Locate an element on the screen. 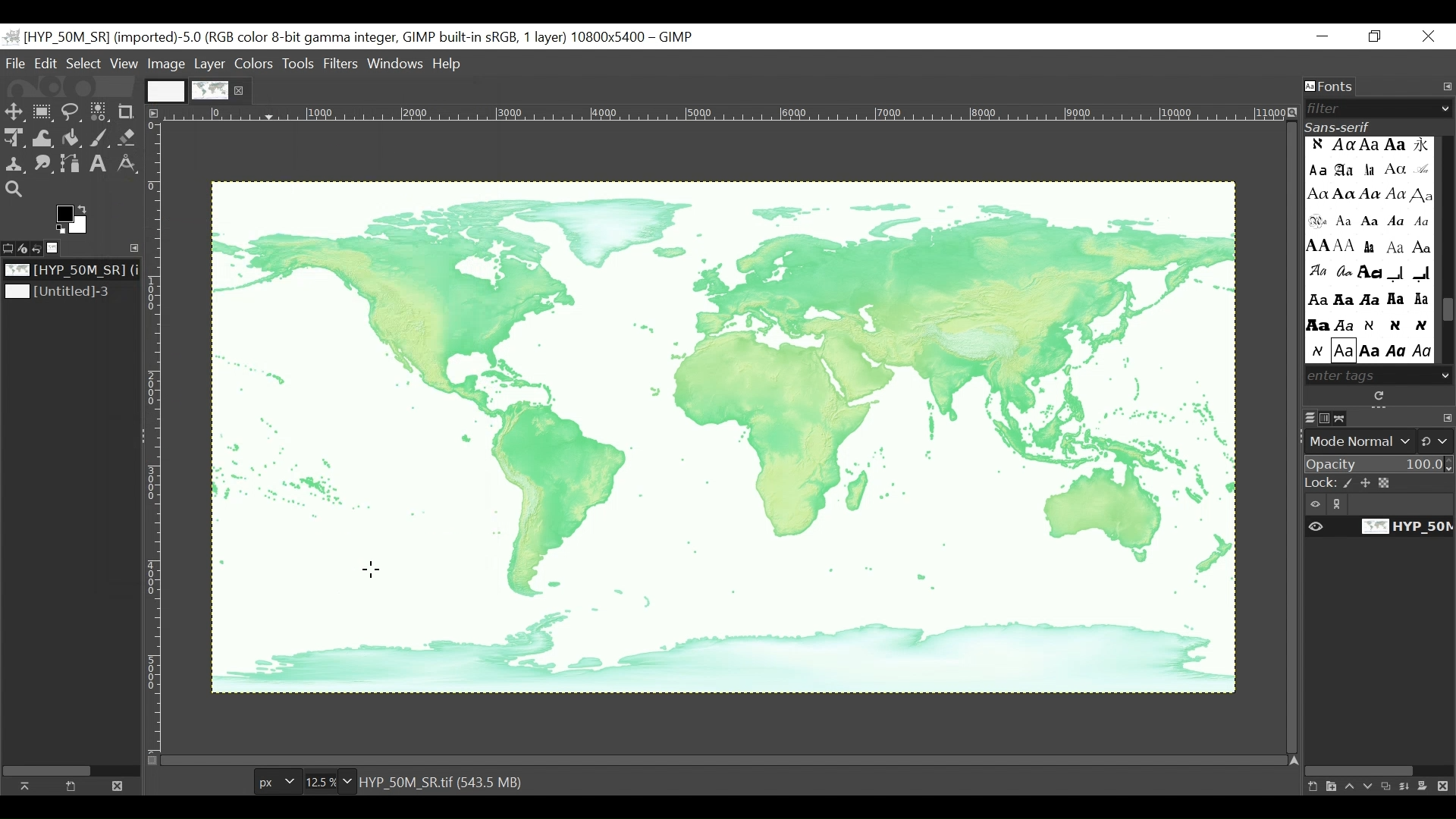 The height and width of the screenshot is (819, 1456). Select is located at coordinates (83, 64).